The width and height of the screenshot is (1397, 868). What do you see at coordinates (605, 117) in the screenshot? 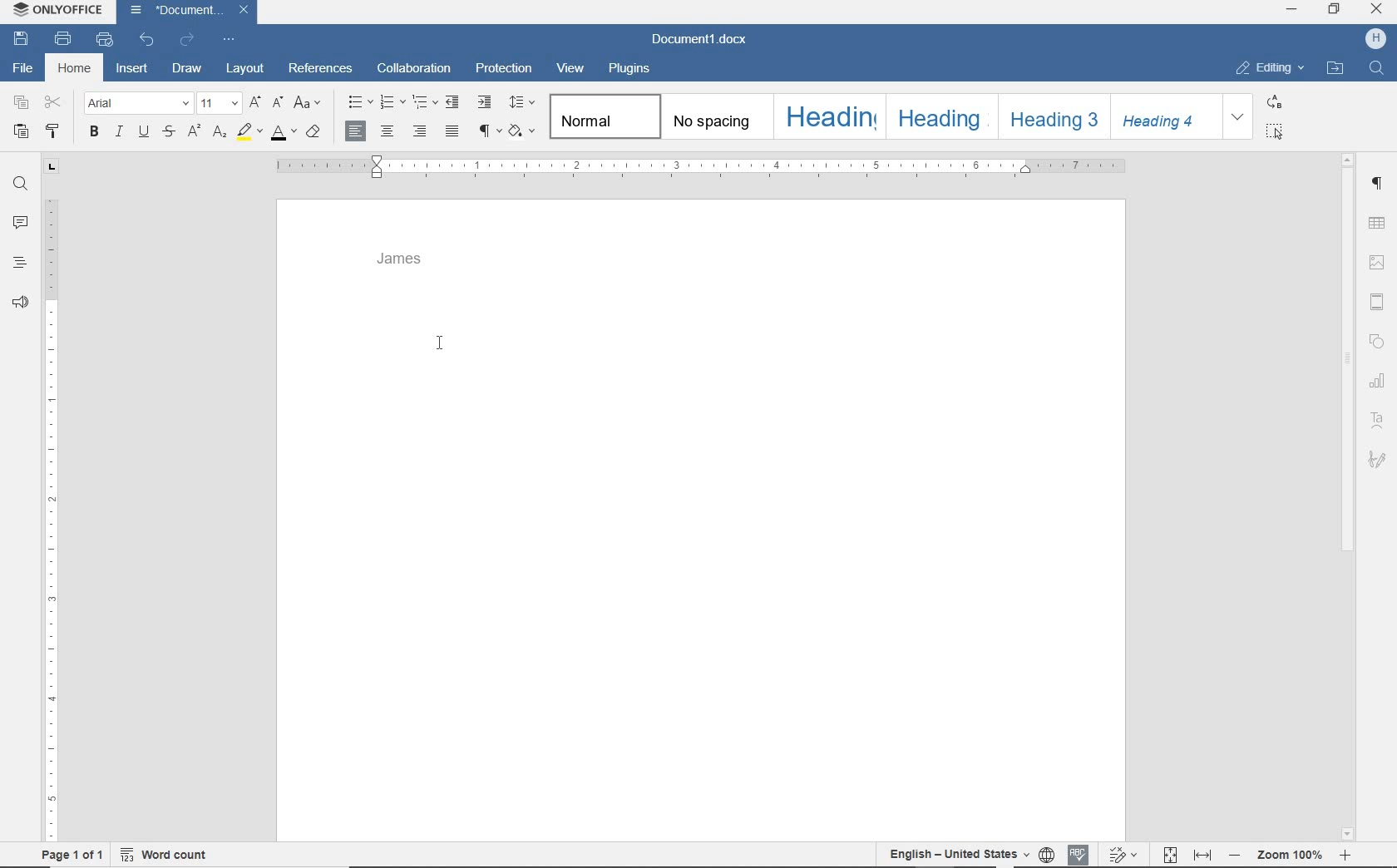
I see `Normal` at bounding box center [605, 117].